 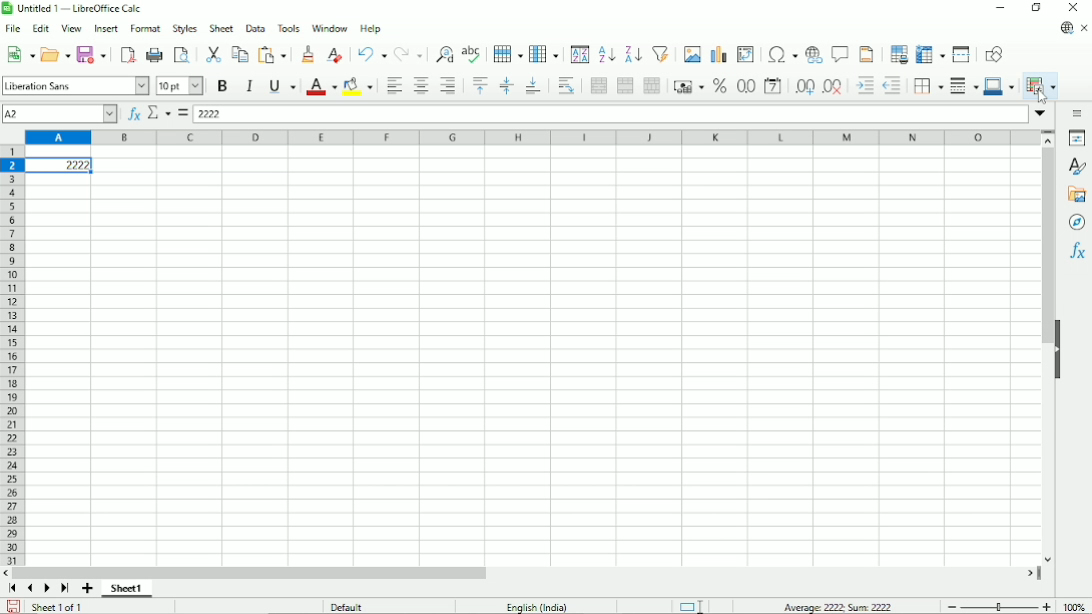 I want to click on Align top, so click(x=479, y=85).